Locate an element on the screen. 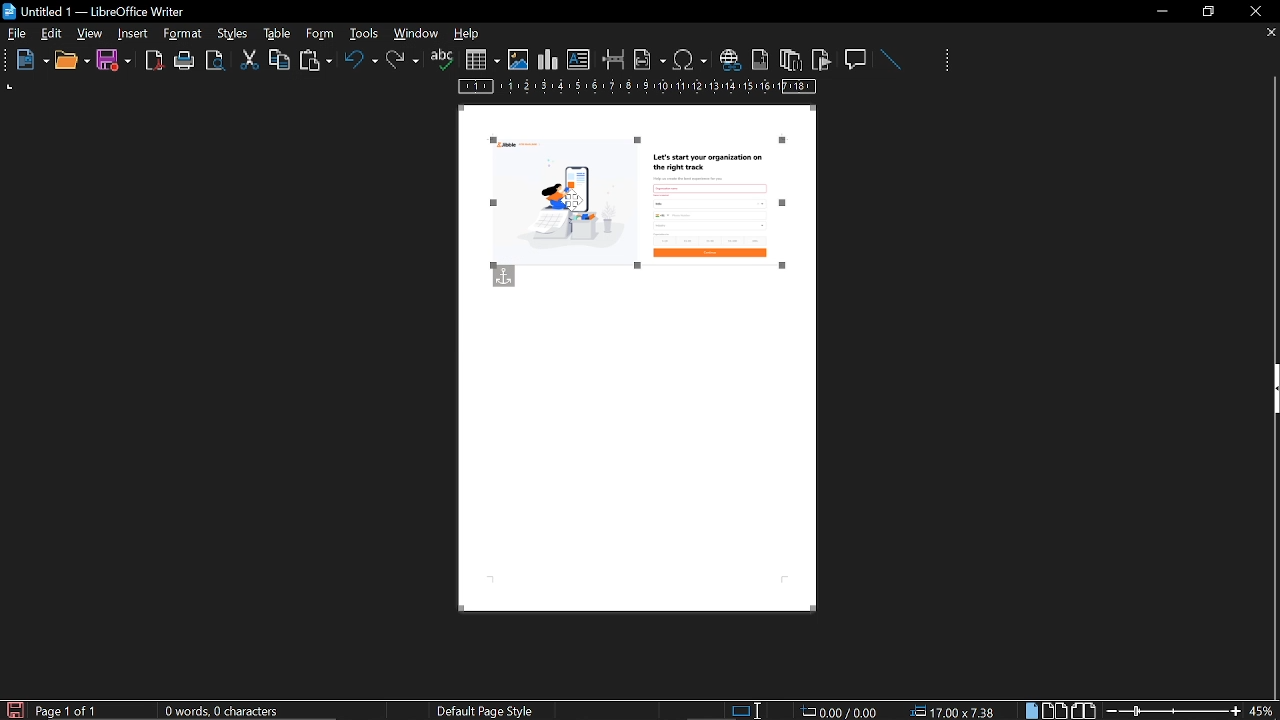 The width and height of the screenshot is (1280, 720). side bar menu is located at coordinates (1272, 389).